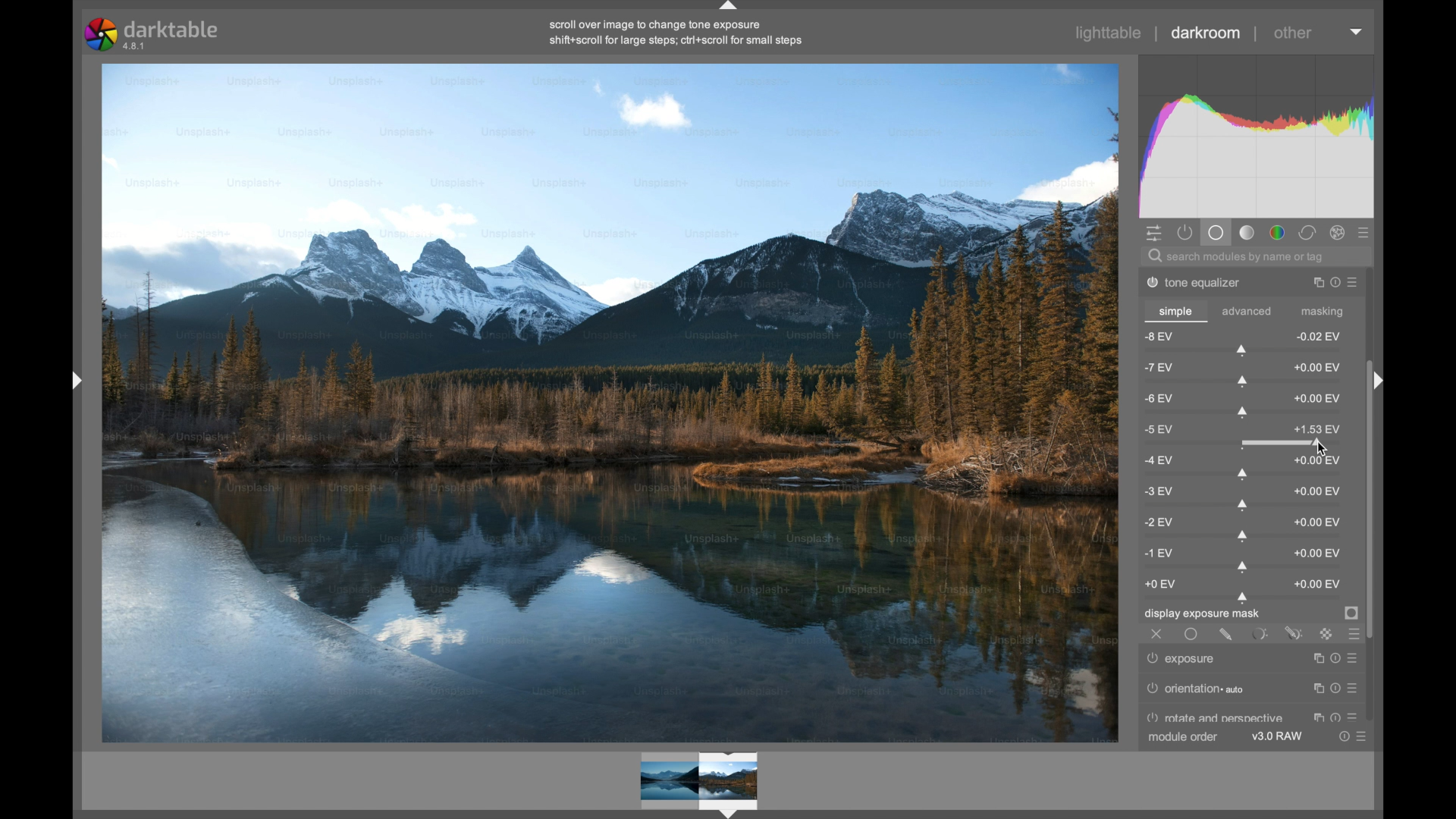  I want to click on Reset parameter, so click(1336, 674).